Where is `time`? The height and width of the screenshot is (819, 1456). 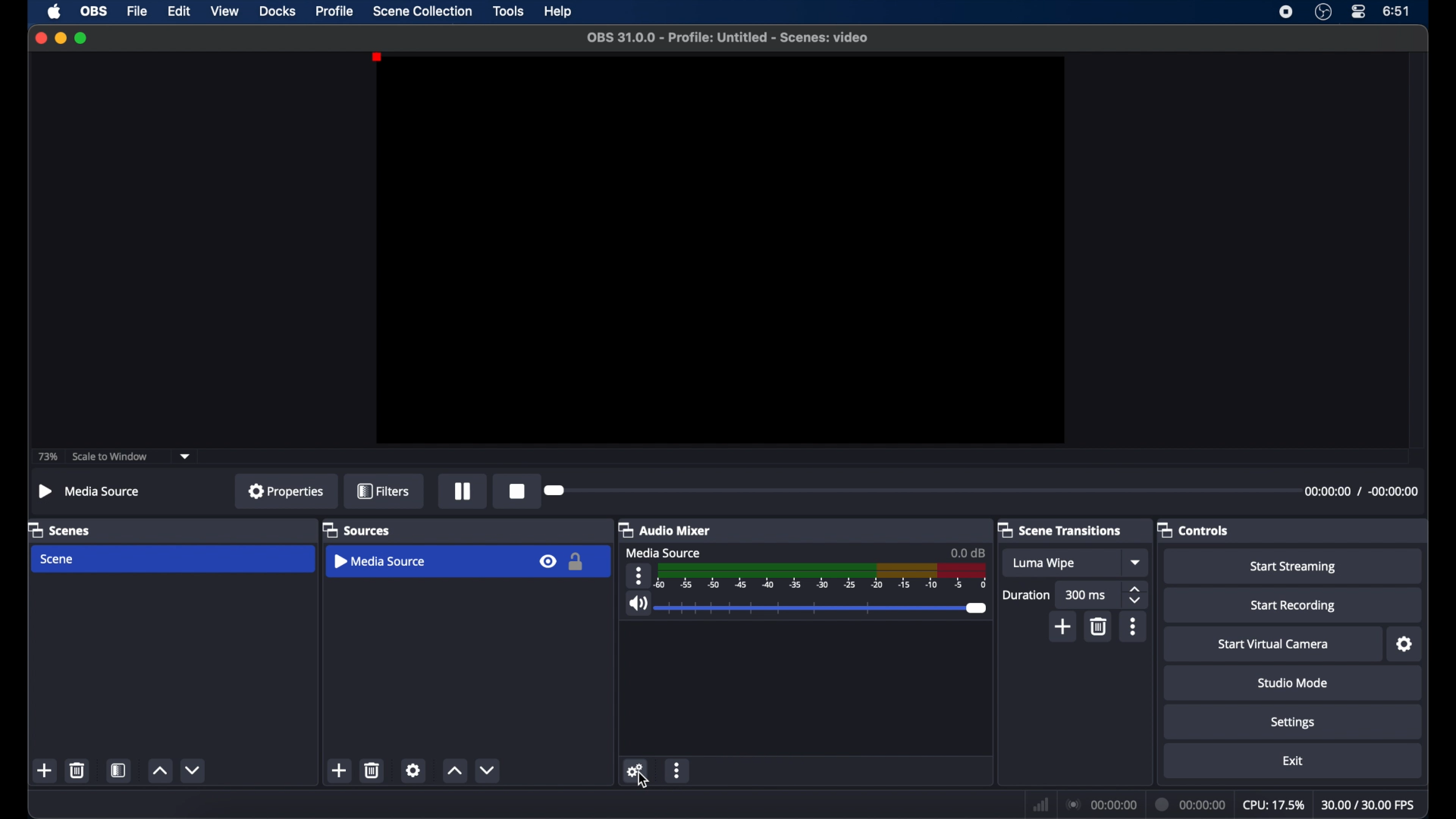
time is located at coordinates (1397, 10).